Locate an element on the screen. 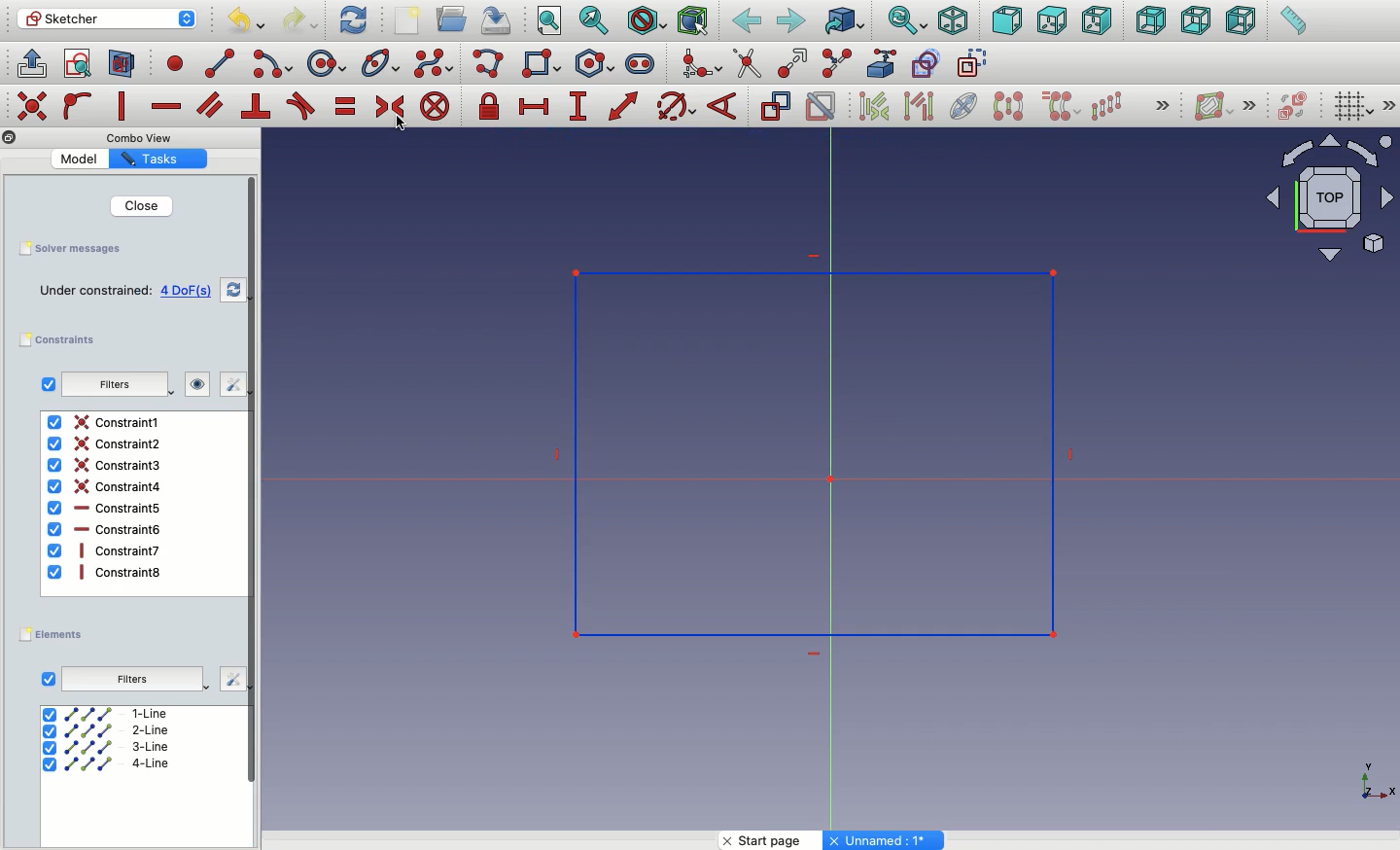 Image resolution: width=1400 pixels, height=850 pixels. 3-line is located at coordinates (108, 748).